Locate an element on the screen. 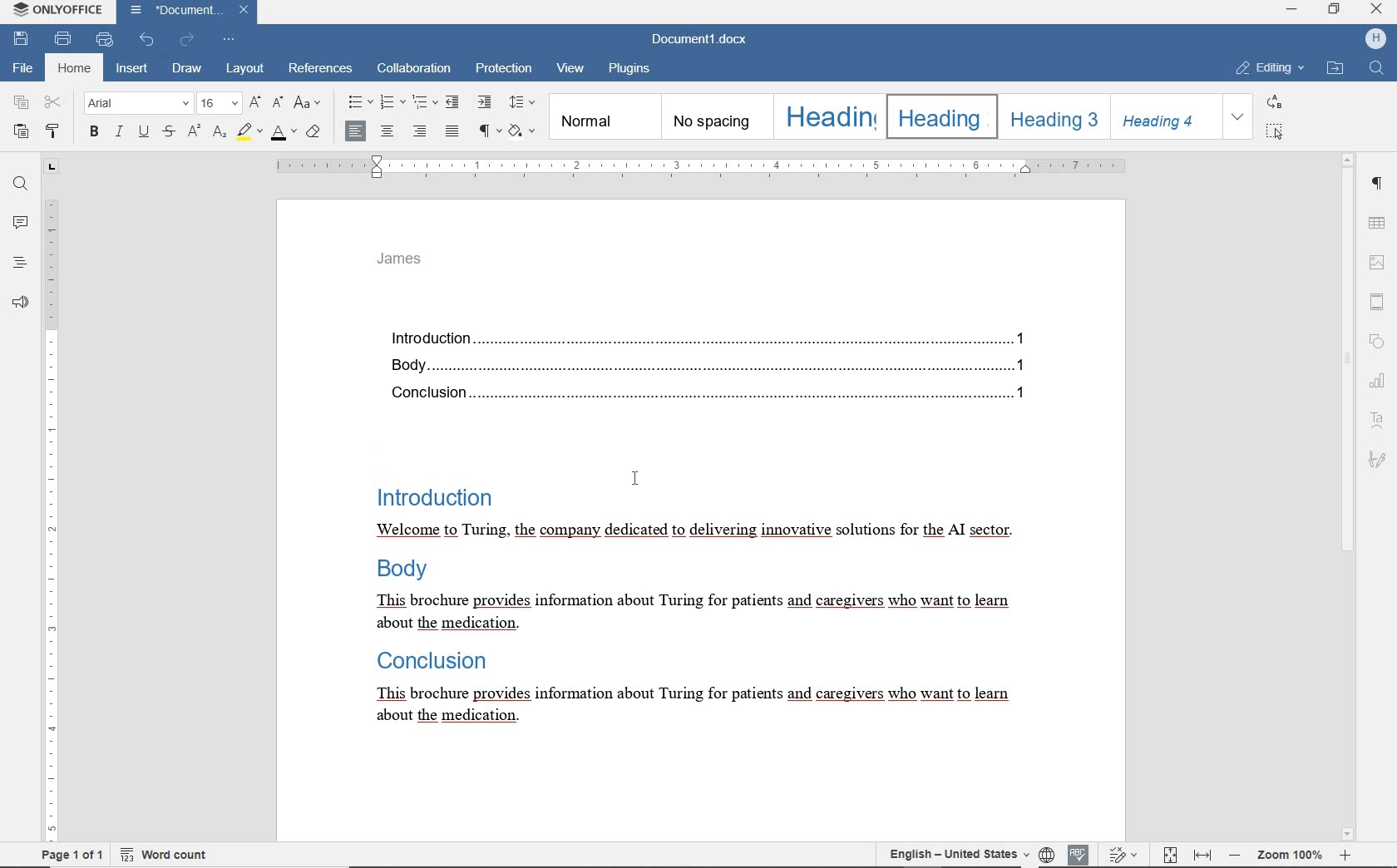  MINIMIZE is located at coordinates (1292, 12).